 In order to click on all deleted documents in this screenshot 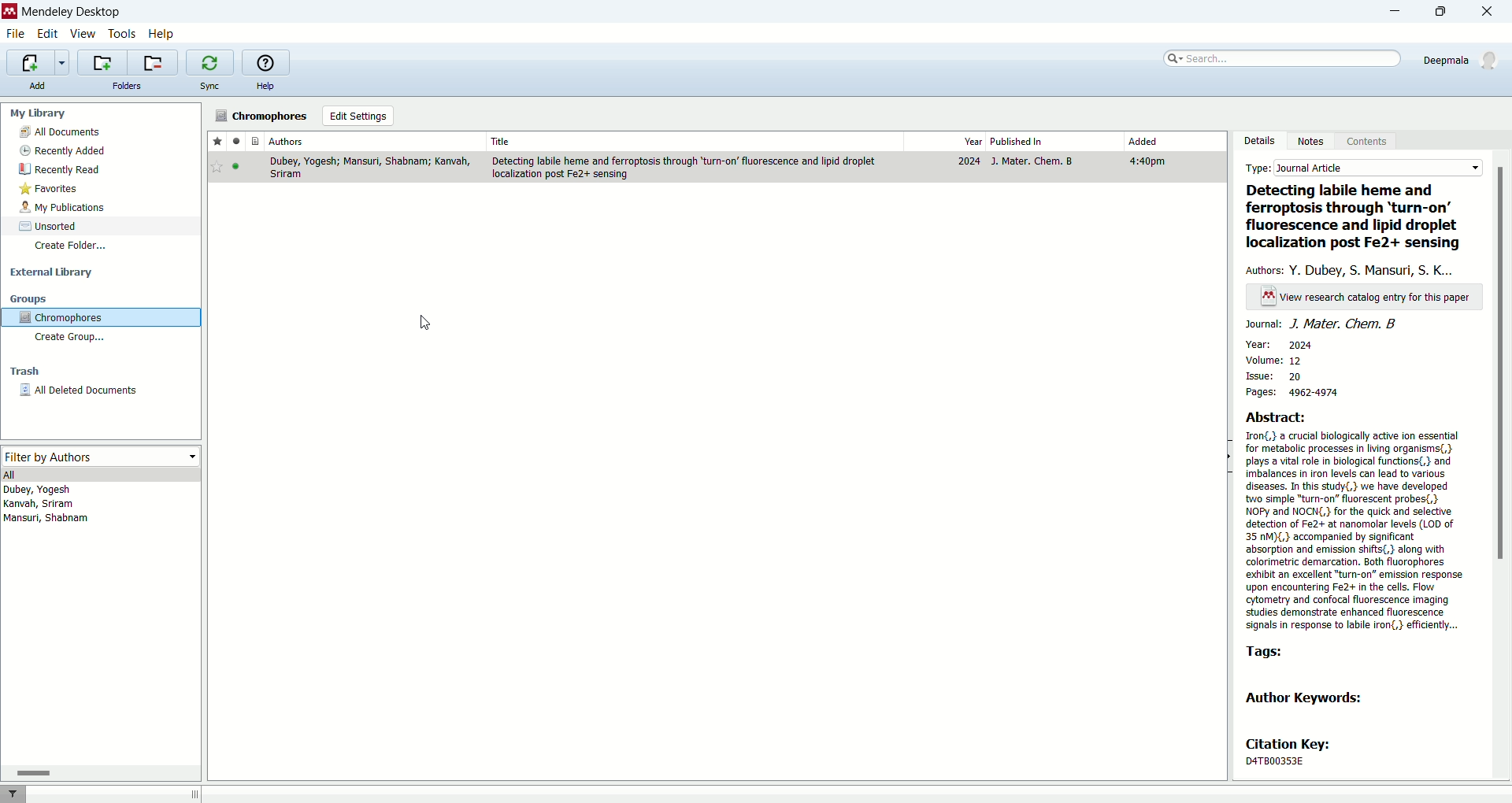, I will do `click(94, 394)`.